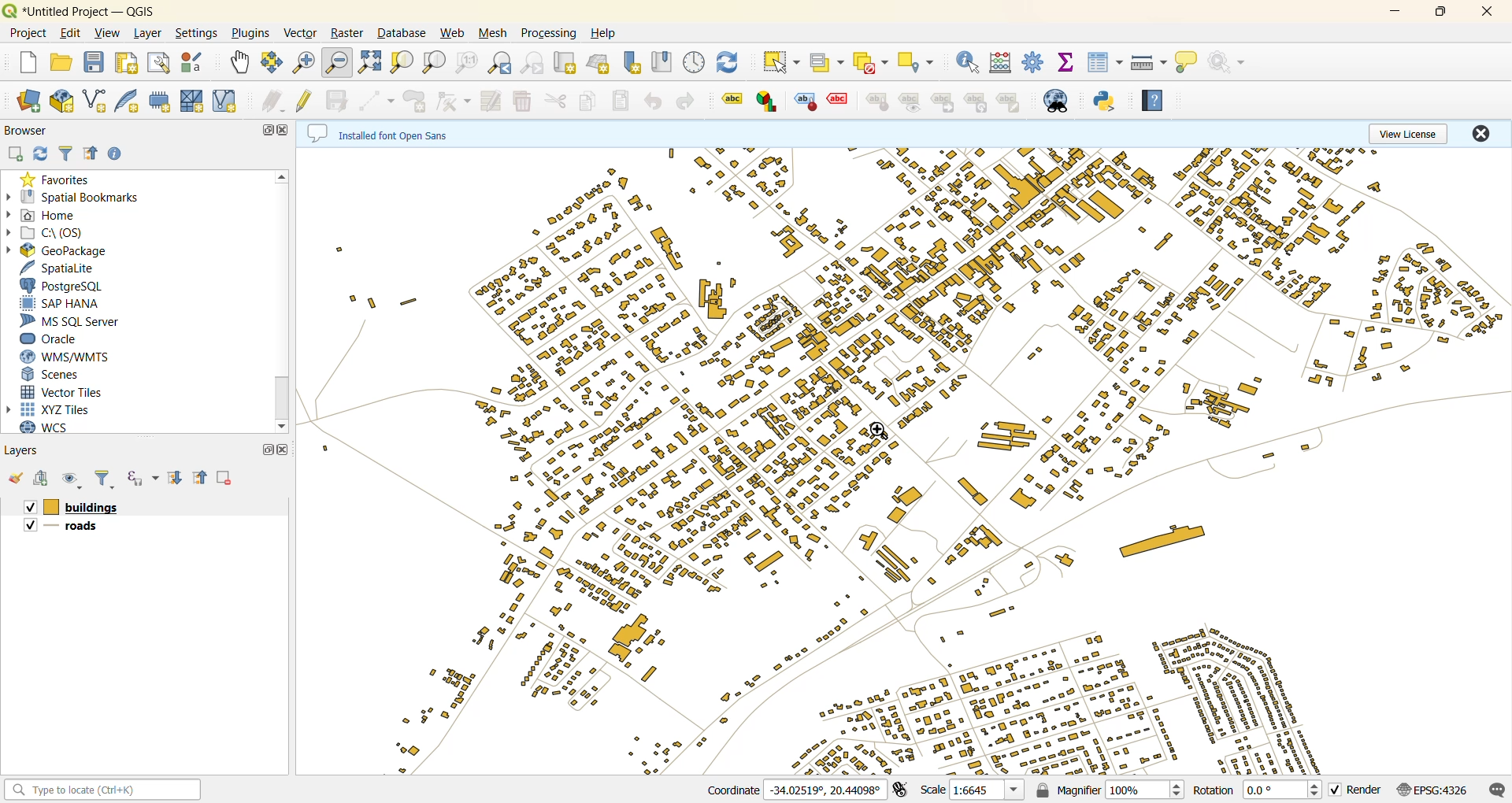 The height and width of the screenshot is (803, 1512). Describe the element at coordinates (1403, 10) in the screenshot. I see `minimize` at that location.